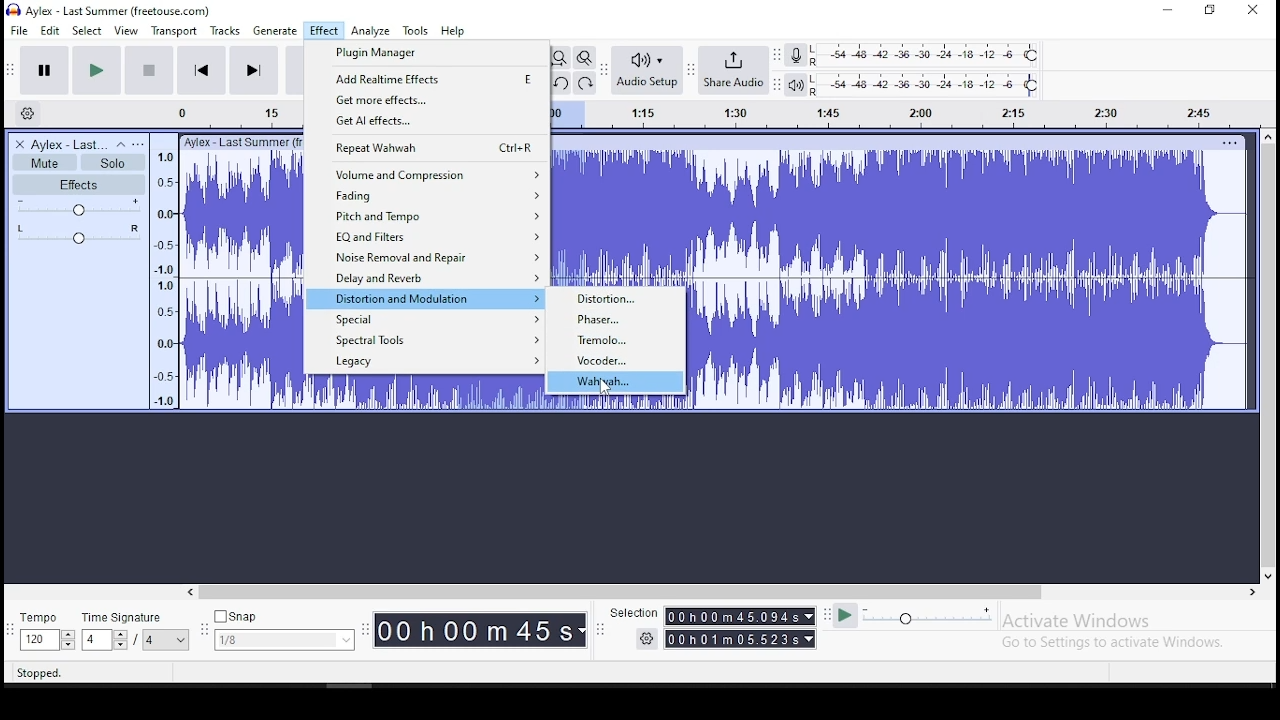 The height and width of the screenshot is (720, 1280). I want to click on redo, so click(586, 83).